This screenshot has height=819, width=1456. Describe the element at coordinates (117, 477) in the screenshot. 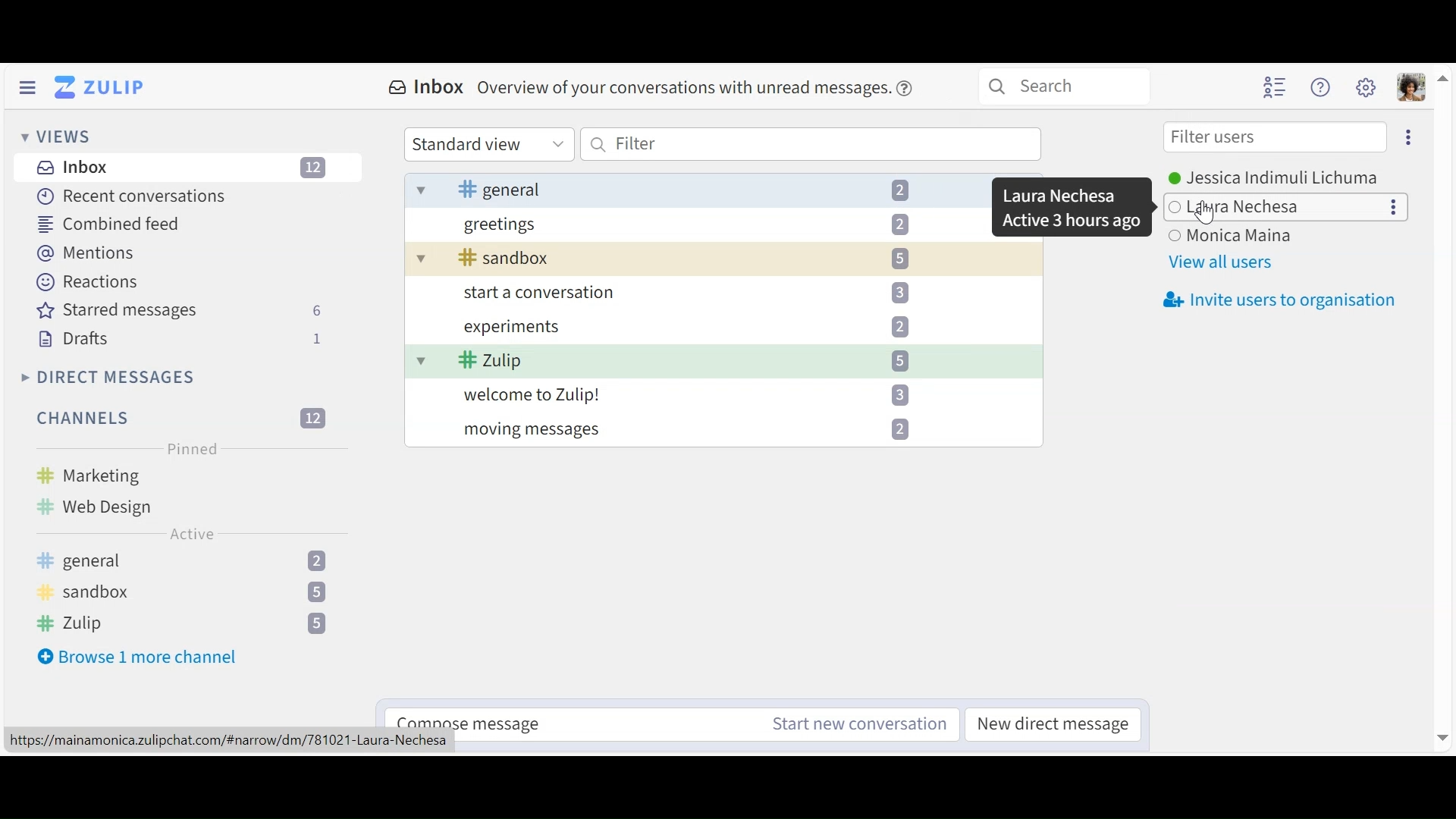

I see `marketing` at that location.